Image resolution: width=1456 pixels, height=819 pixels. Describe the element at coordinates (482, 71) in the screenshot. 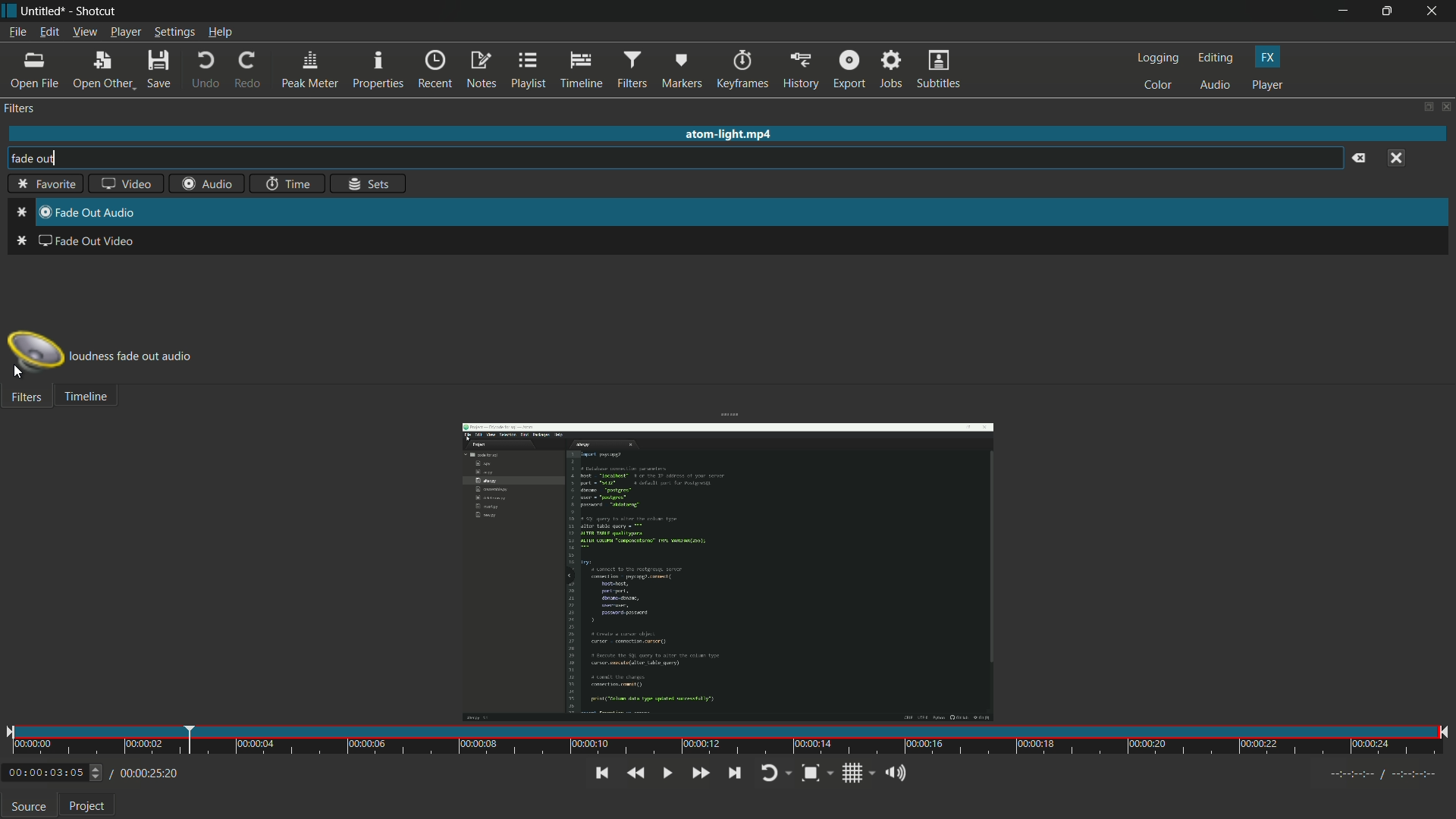

I see `notes` at that location.